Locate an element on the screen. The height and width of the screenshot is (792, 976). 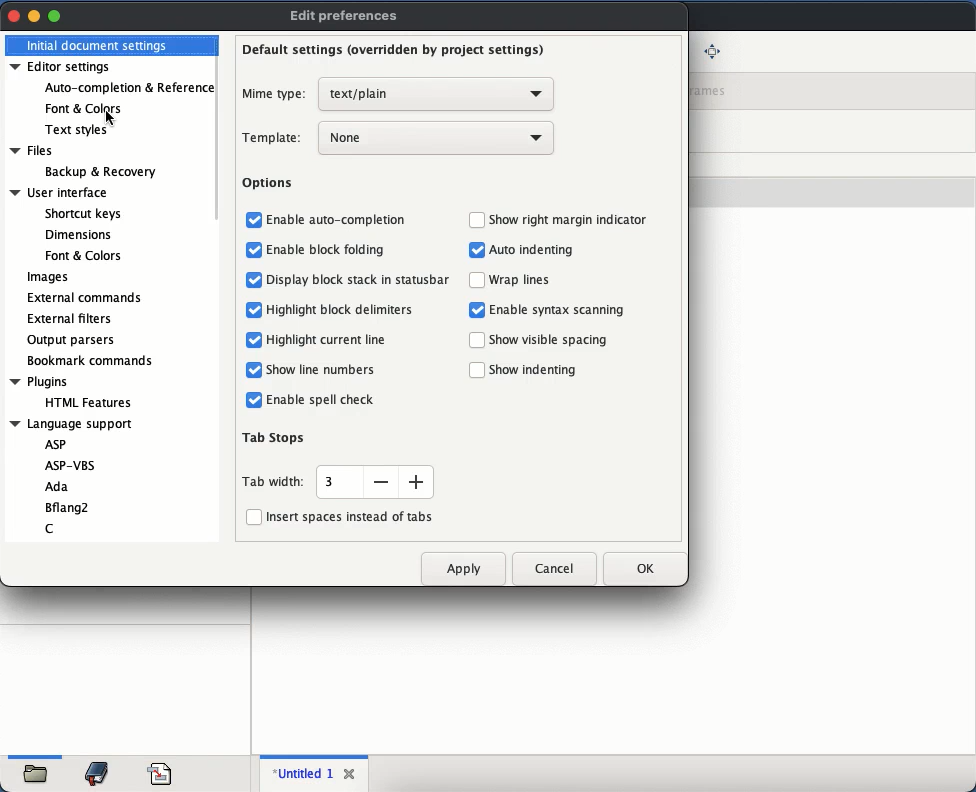
Bflang2 is located at coordinates (67, 507).